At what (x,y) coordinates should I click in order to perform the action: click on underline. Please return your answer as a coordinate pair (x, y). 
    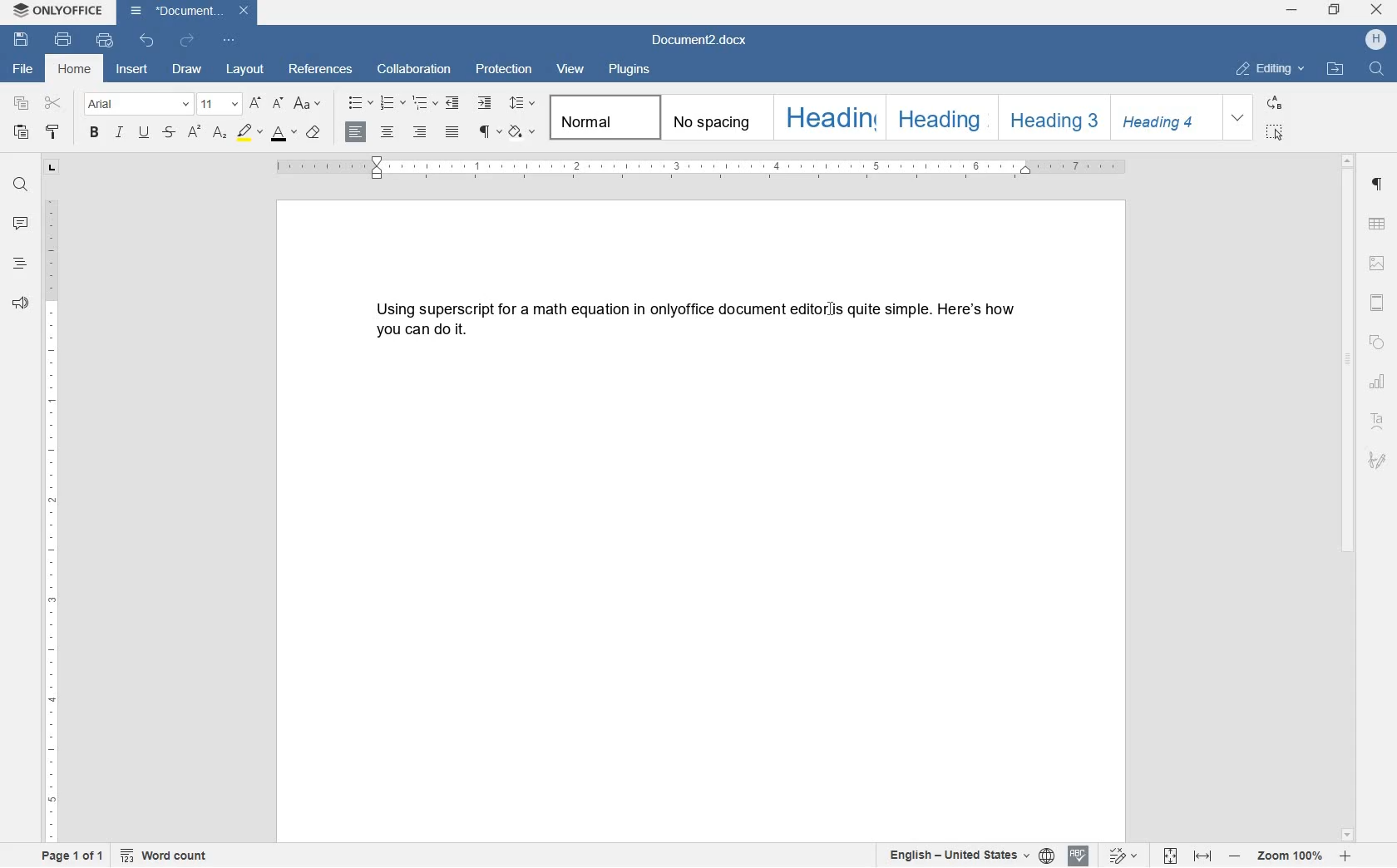
    Looking at the image, I should click on (143, 134).